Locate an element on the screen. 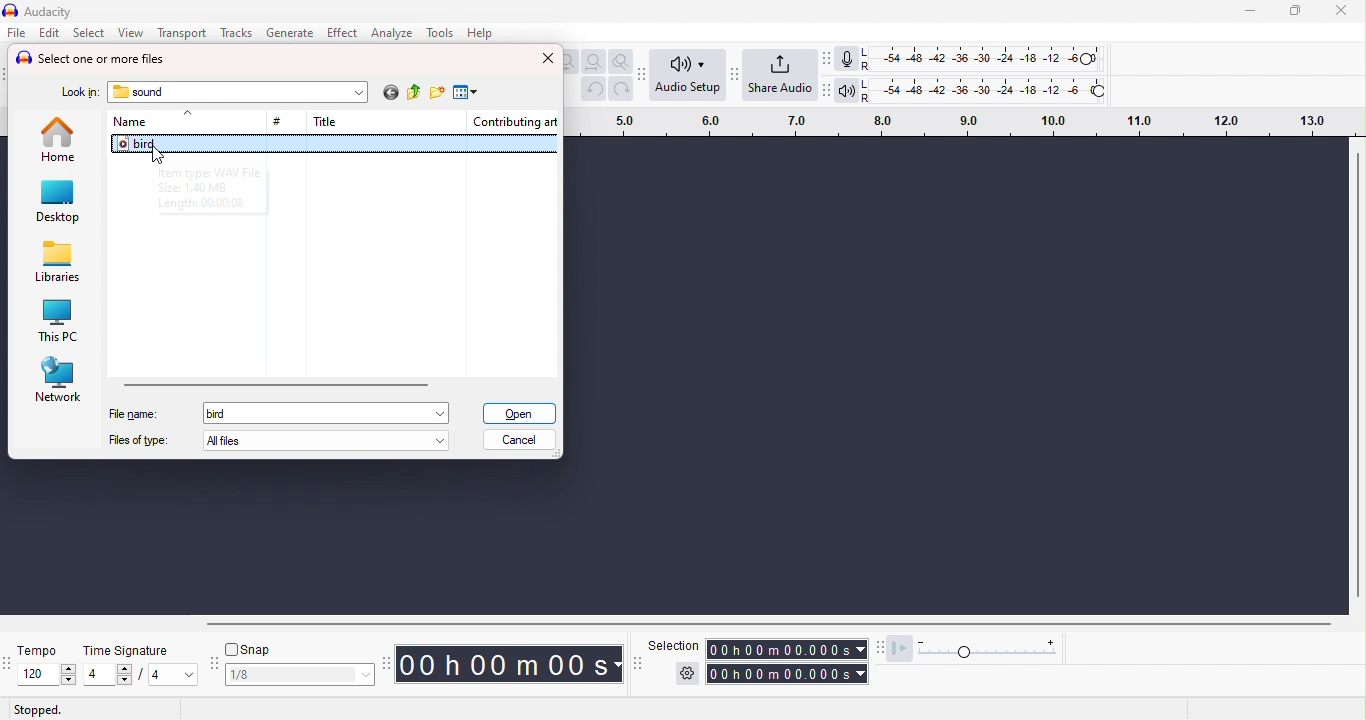 The image size is (1366, 720). selection time is located at coordinates (788, 649).